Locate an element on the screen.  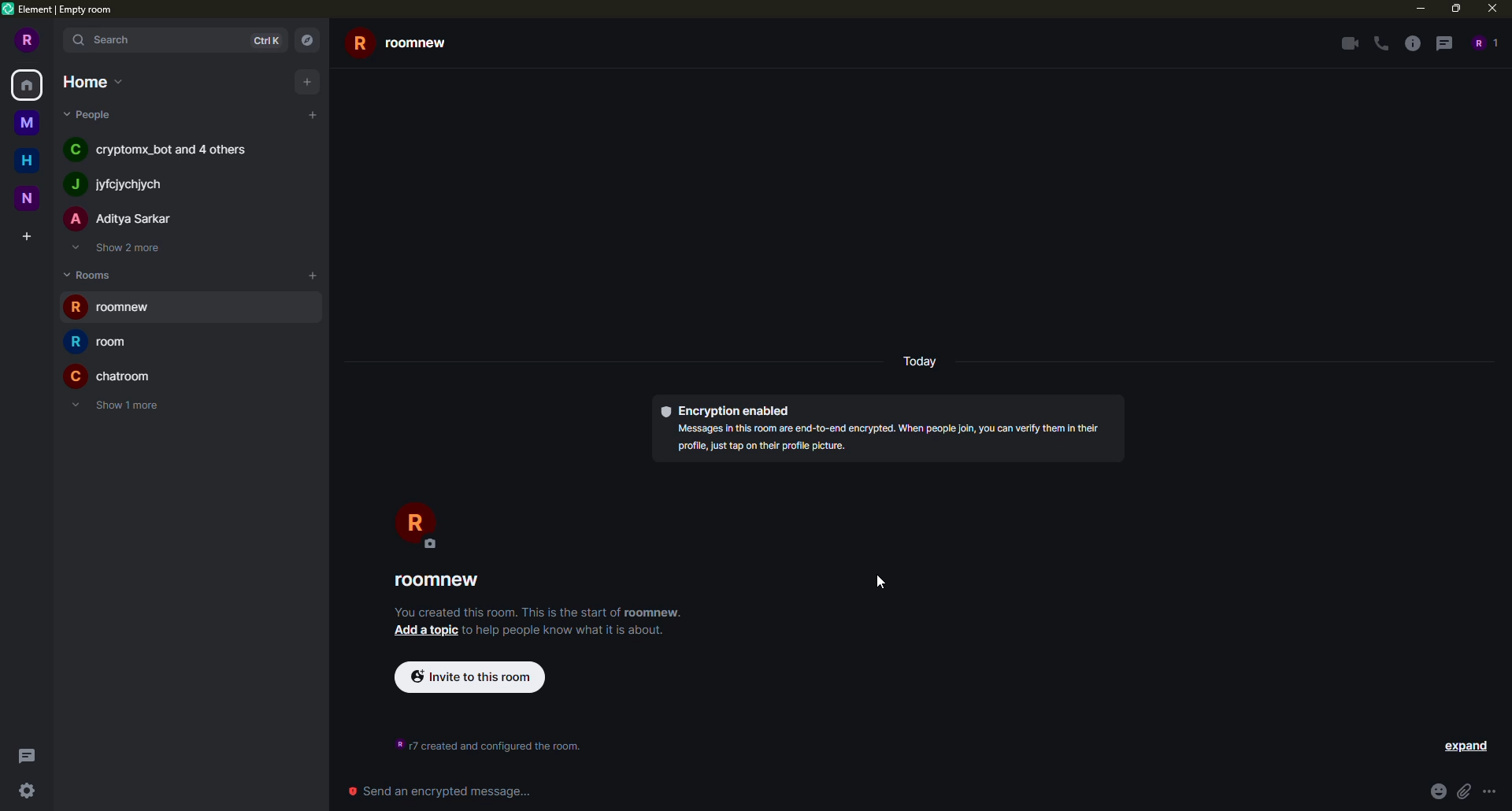
profile is located at coordinates (425, 525).